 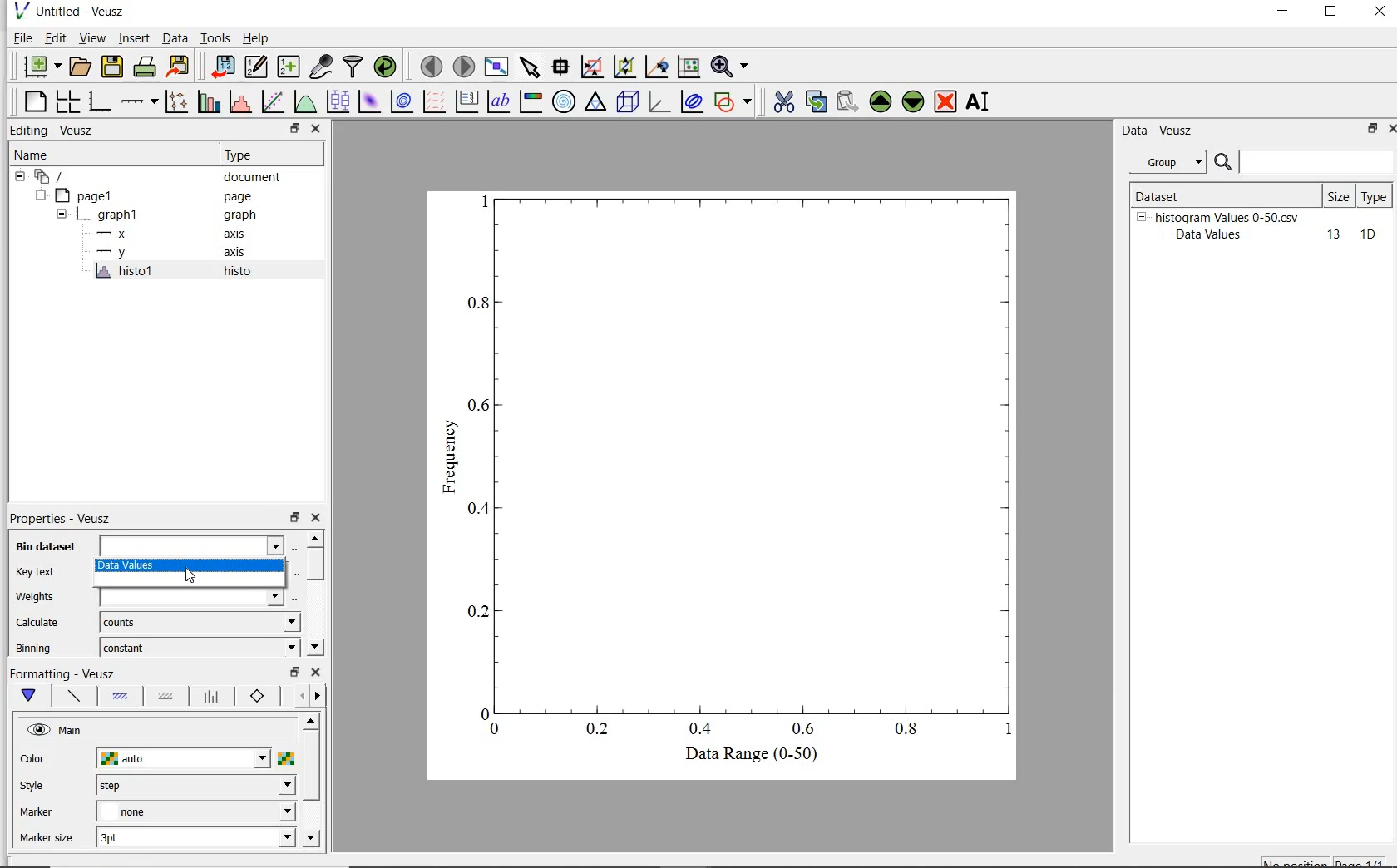 What do you see at coordinates (310, 720) in the screenshot?
I see `move up` at bounding box center [310, 720].